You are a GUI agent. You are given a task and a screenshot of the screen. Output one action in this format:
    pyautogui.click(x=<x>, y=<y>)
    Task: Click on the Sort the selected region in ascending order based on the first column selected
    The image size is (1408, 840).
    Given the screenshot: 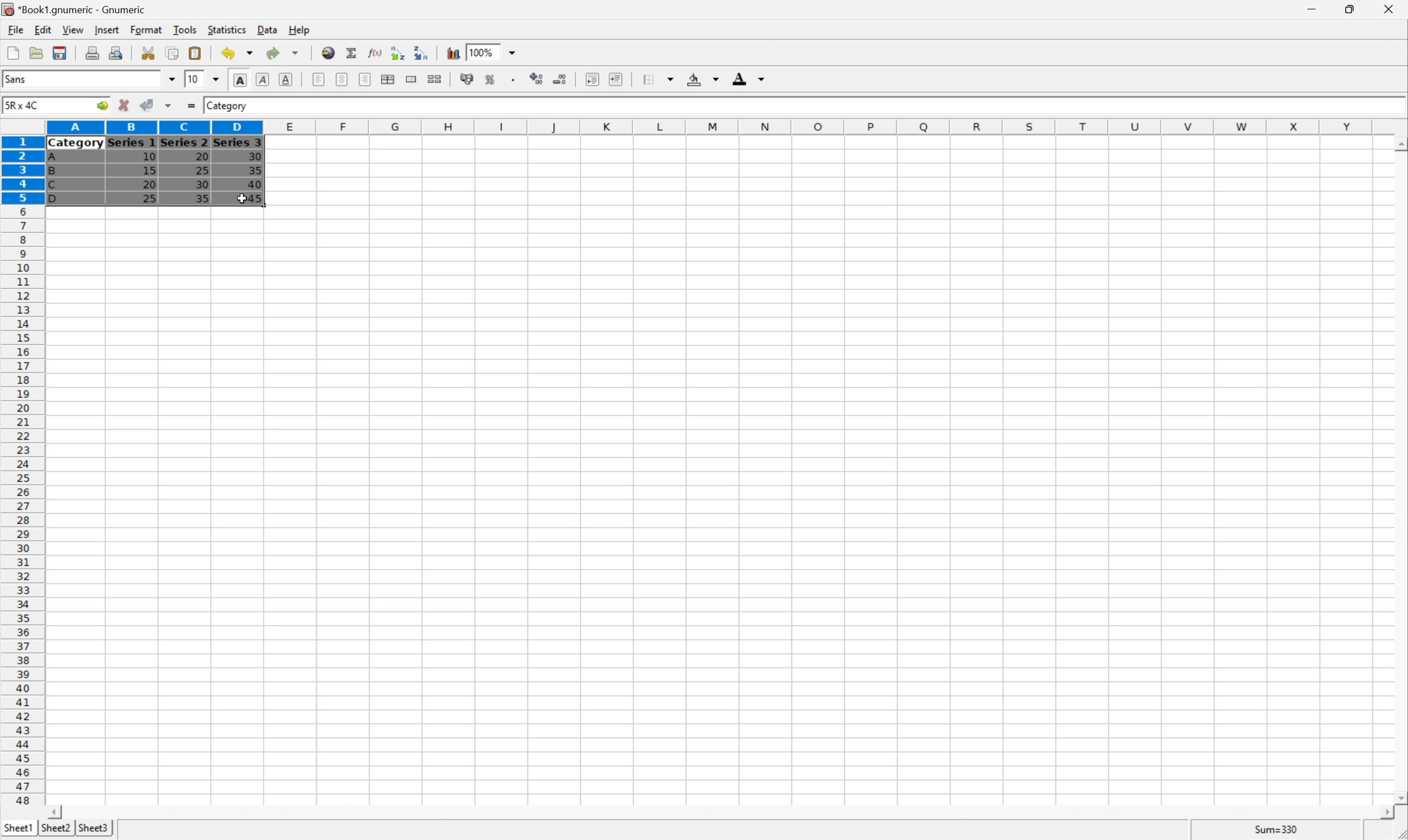 What is the action you would take?
    pyautogui.click(x=397, y=53)
    